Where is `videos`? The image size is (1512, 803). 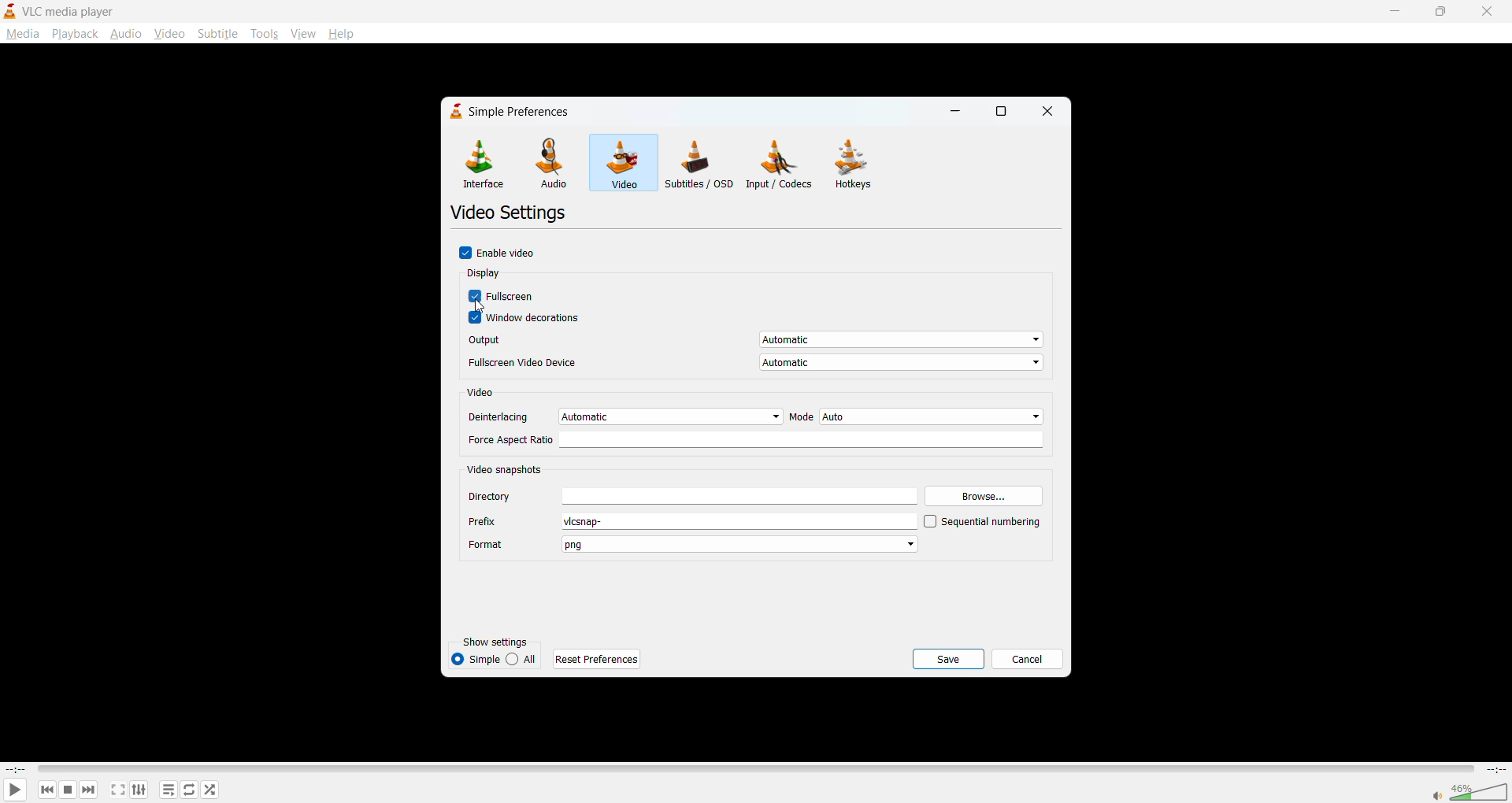 videos is located at coordinates (621, 161).